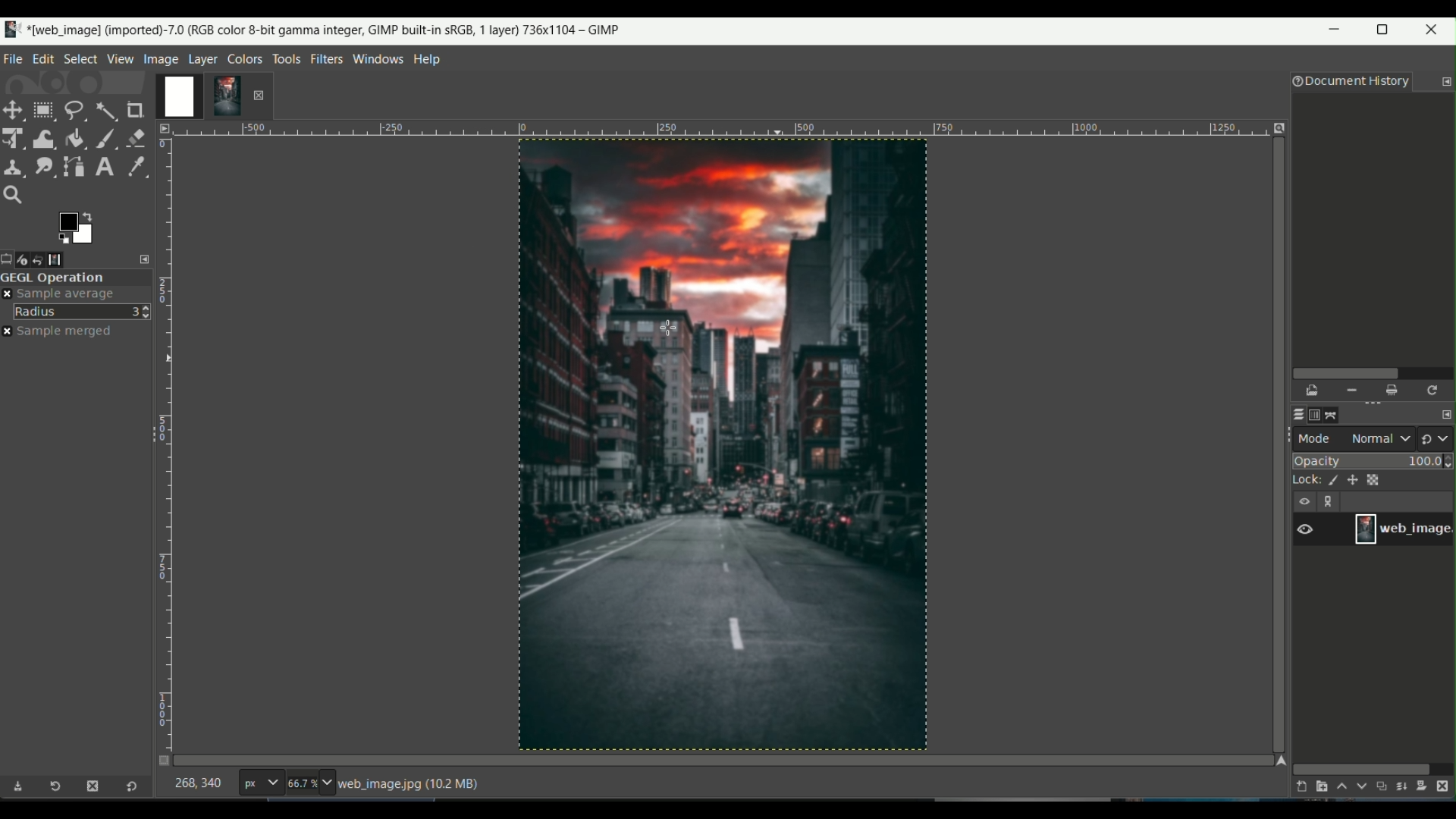  Describe the element at coordinates (14, 57) in the screenshot. I see `file tab` at that location.